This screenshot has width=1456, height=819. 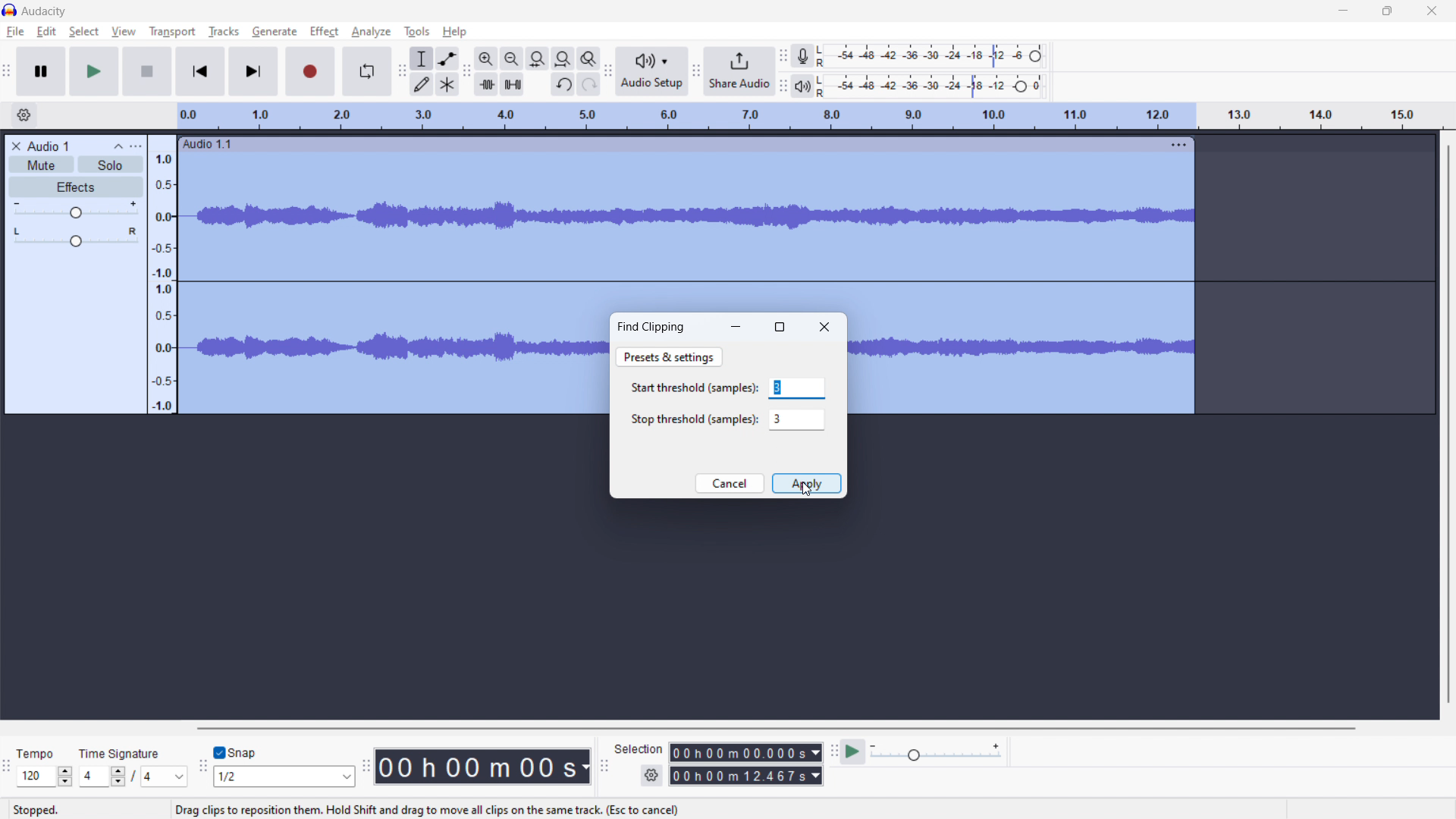 What do you see at coordinates (783, 87) in the screenshot?
I see `playback meter toolbar` at bounding box center [783, 87].